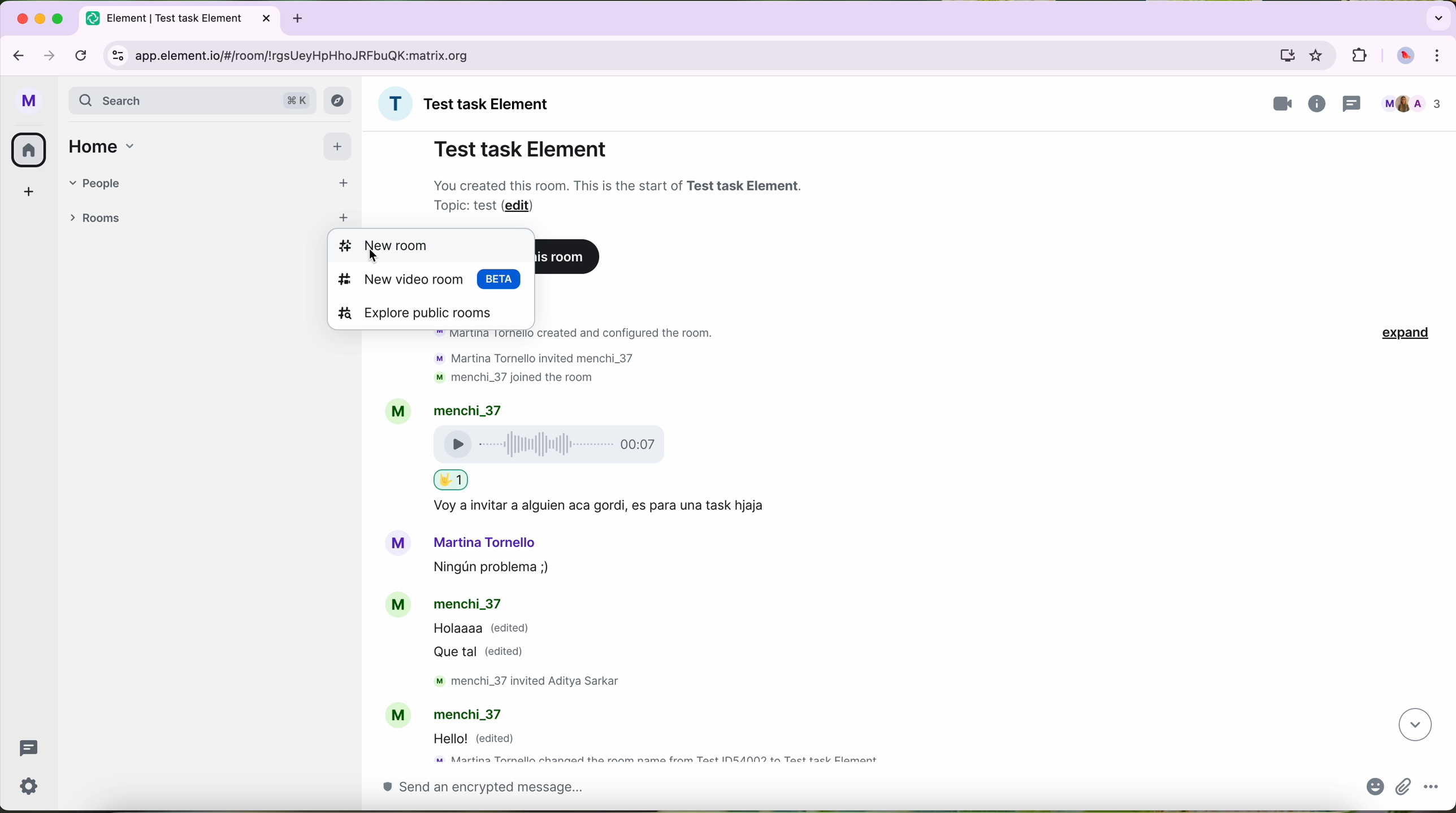 The height and width of the screenshot is (813, 1456). I want to click on maximize, so click(59, 18).